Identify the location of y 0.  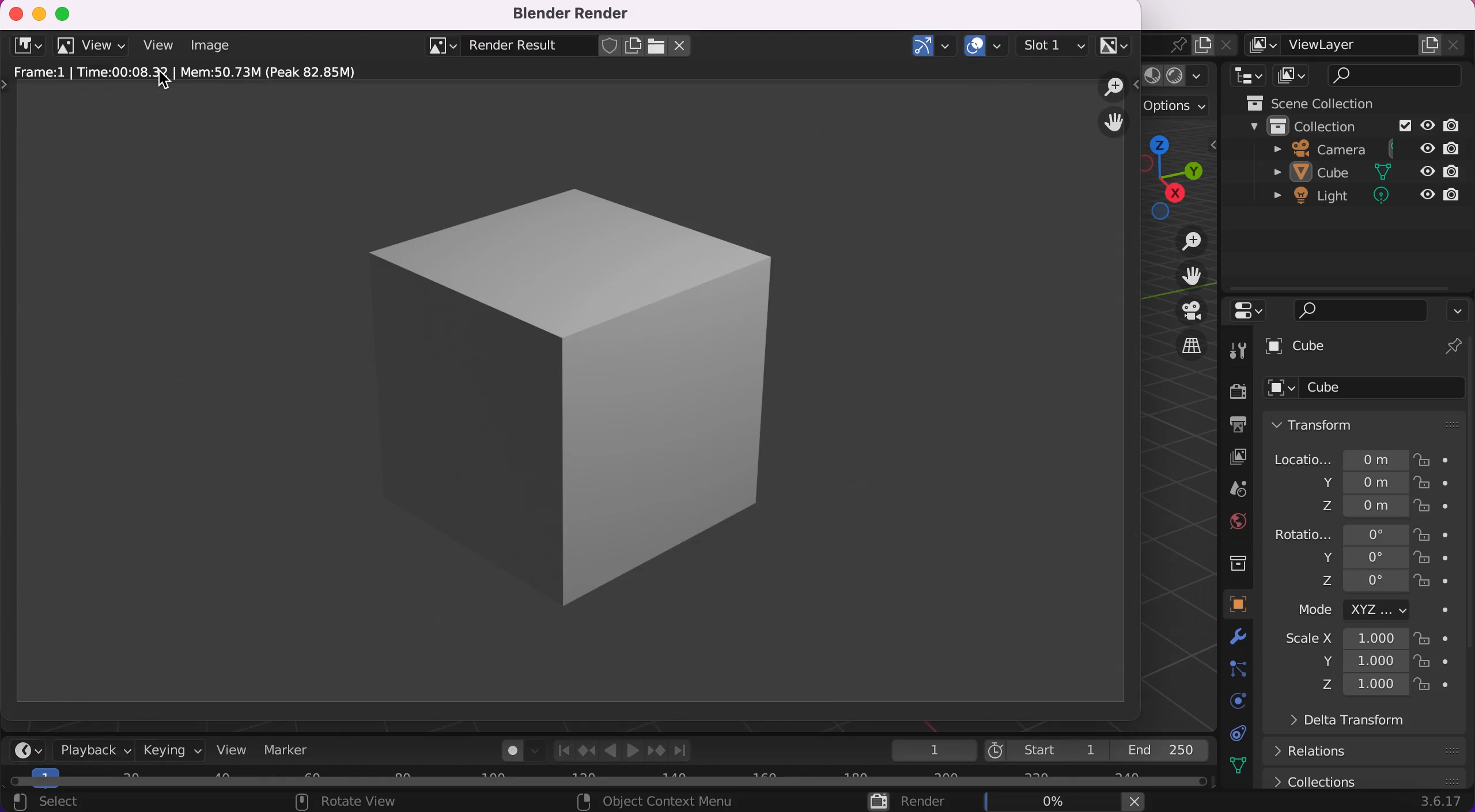
(1350, 557).